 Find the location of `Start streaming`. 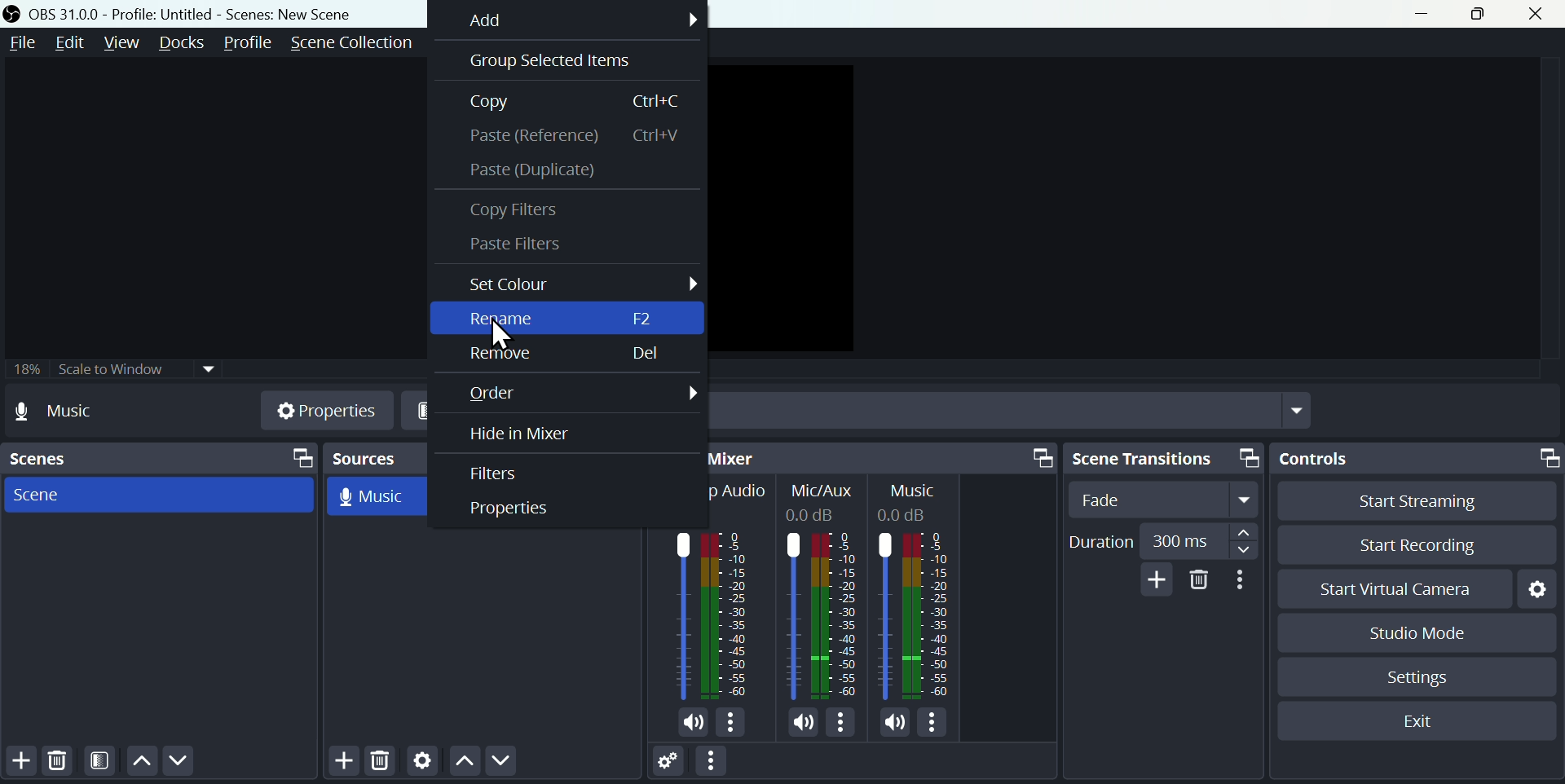

Start streaming is located at coordinates (1415, 499).